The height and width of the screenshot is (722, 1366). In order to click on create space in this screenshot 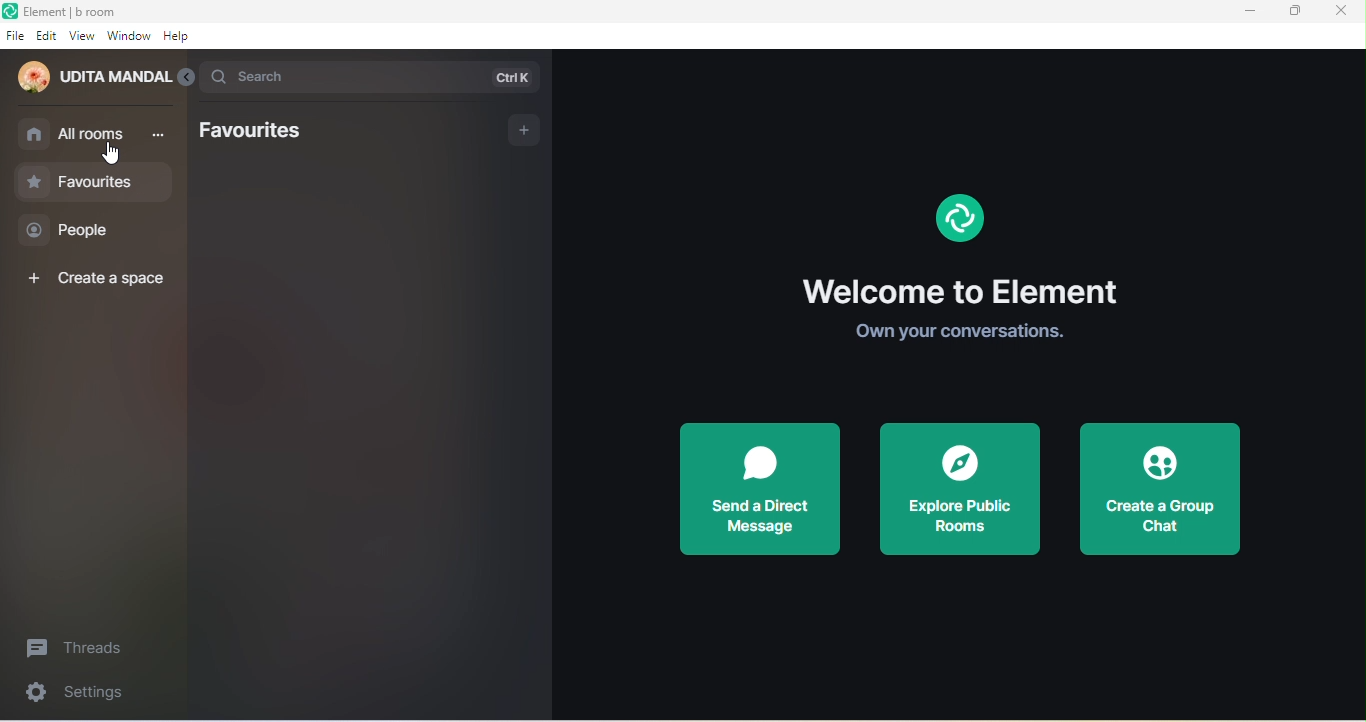, I will do `click(94, 276)`.